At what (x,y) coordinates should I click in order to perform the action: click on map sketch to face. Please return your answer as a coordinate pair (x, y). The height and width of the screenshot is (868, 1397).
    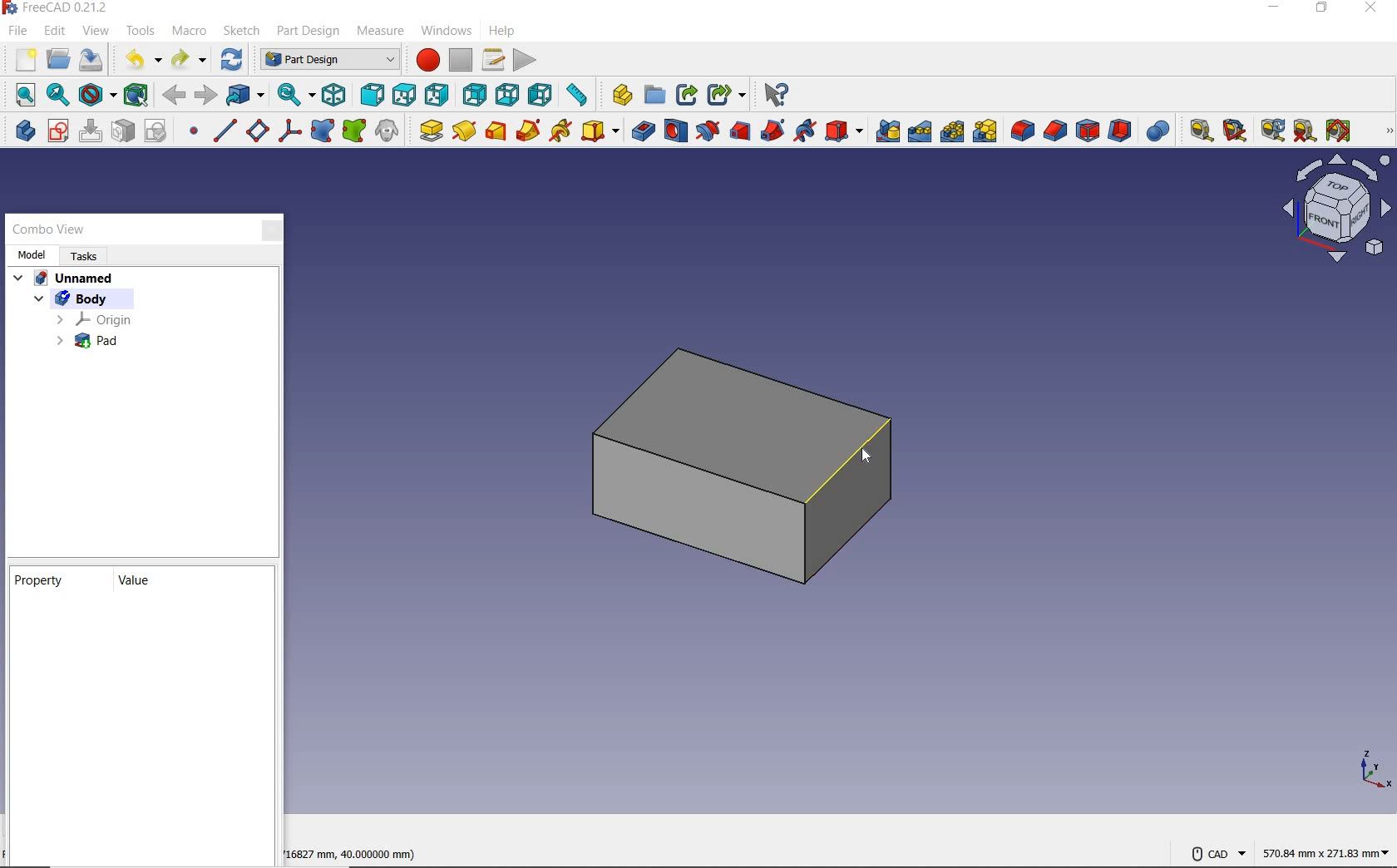
    Looking at the image, I should click on (124, 133).